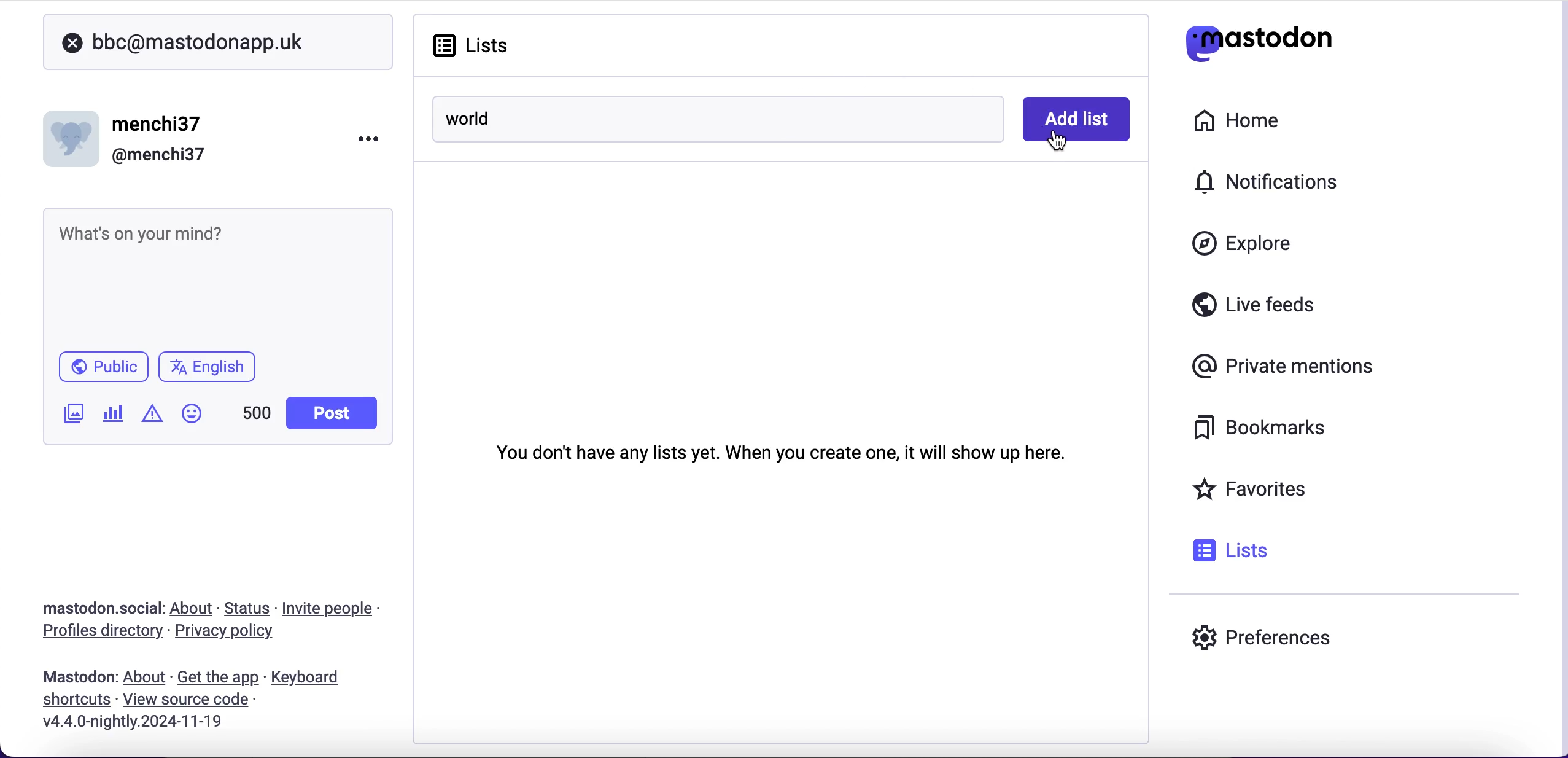 This screenshot has width=1568, height=758. I want to click on add content warning, so click(155, 415).